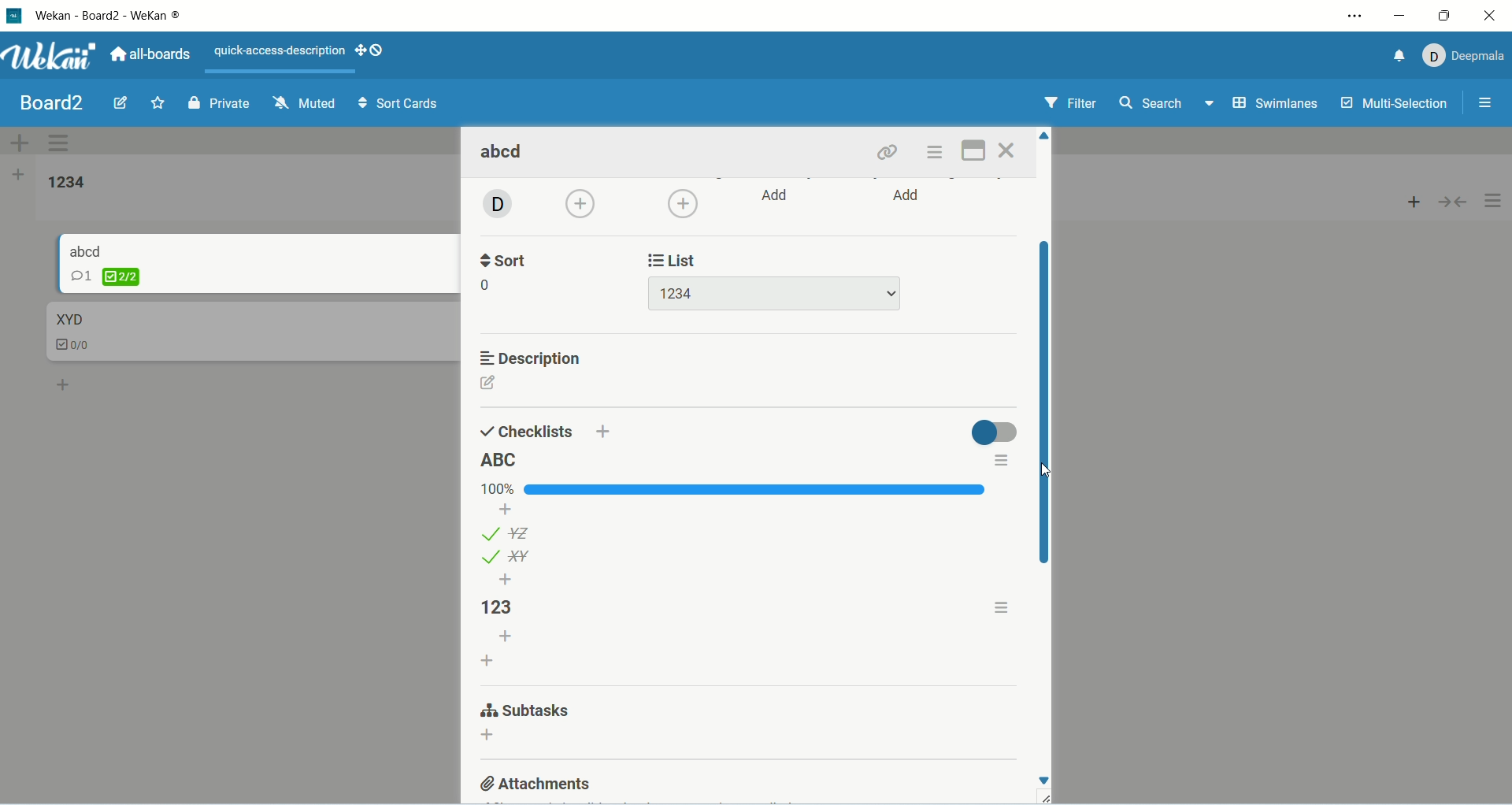 This screenshot has width=1512, height=805. Describe the element at coordinates (400, 104) in the screenshot. I see `sort cards` at that location.